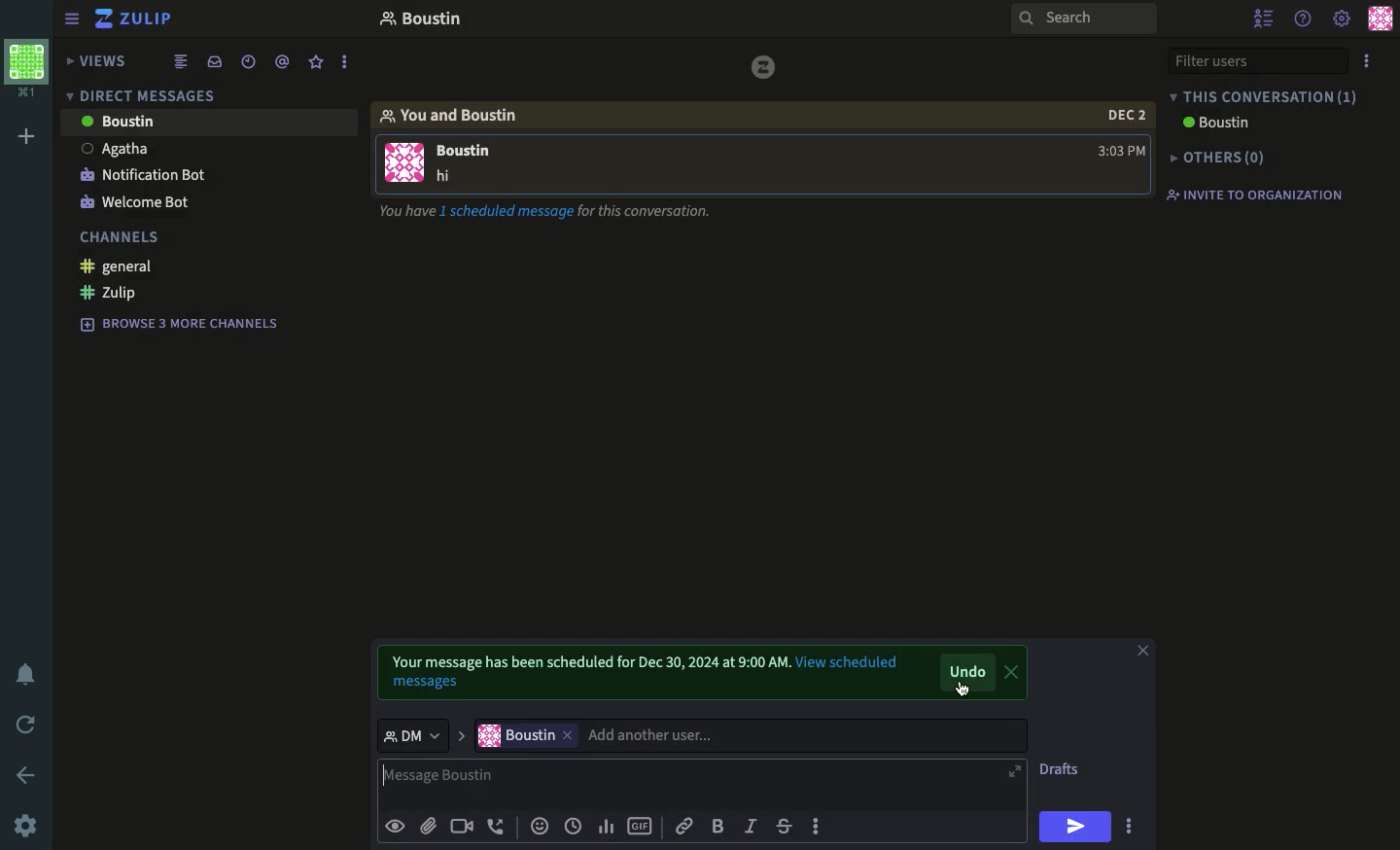 This screenshot has width=1400, height=850. I want to click on filter users, so click(1259, 61).